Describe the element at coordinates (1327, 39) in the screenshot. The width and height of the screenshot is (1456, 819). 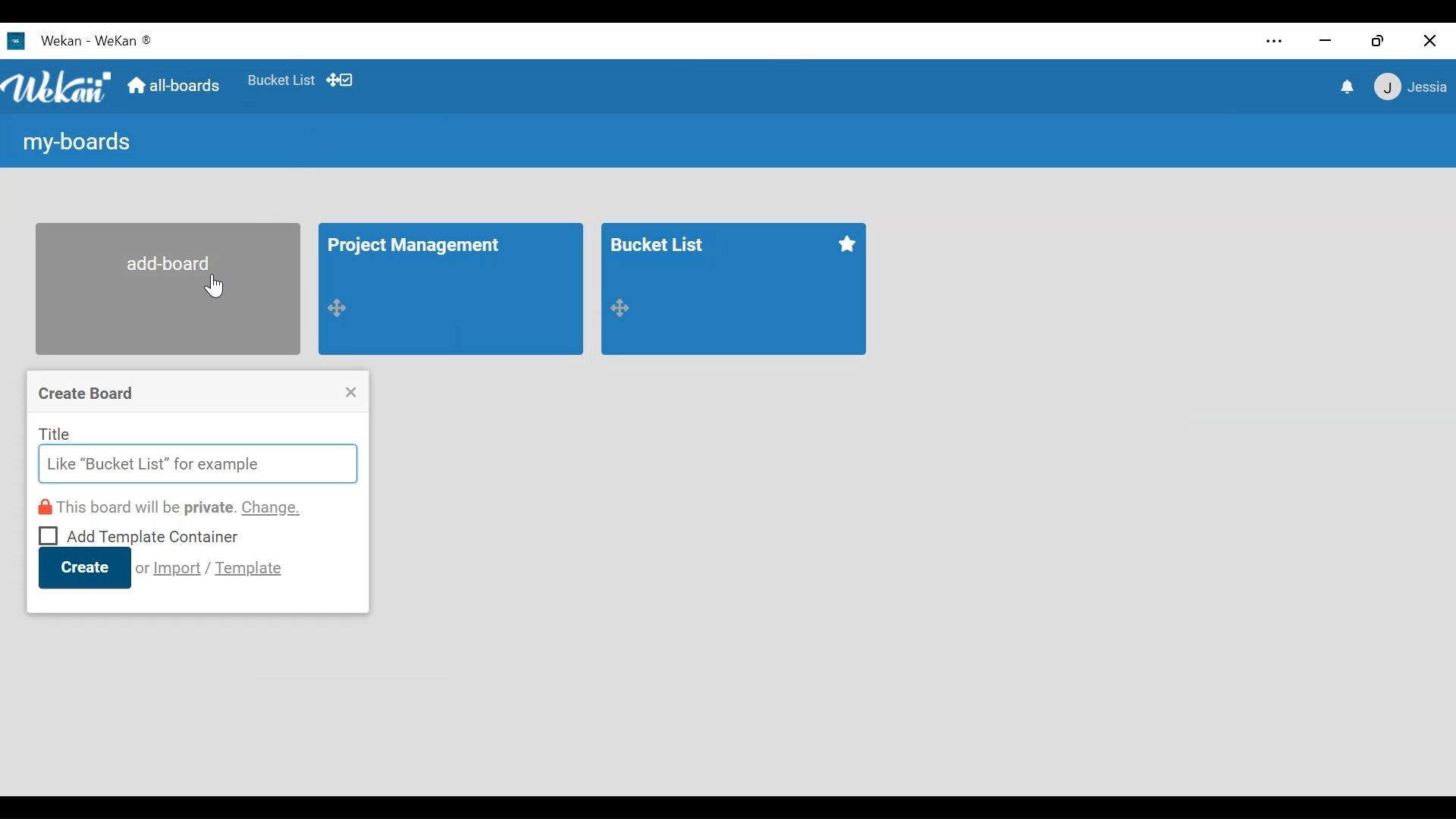
I see `minimize` at that location.